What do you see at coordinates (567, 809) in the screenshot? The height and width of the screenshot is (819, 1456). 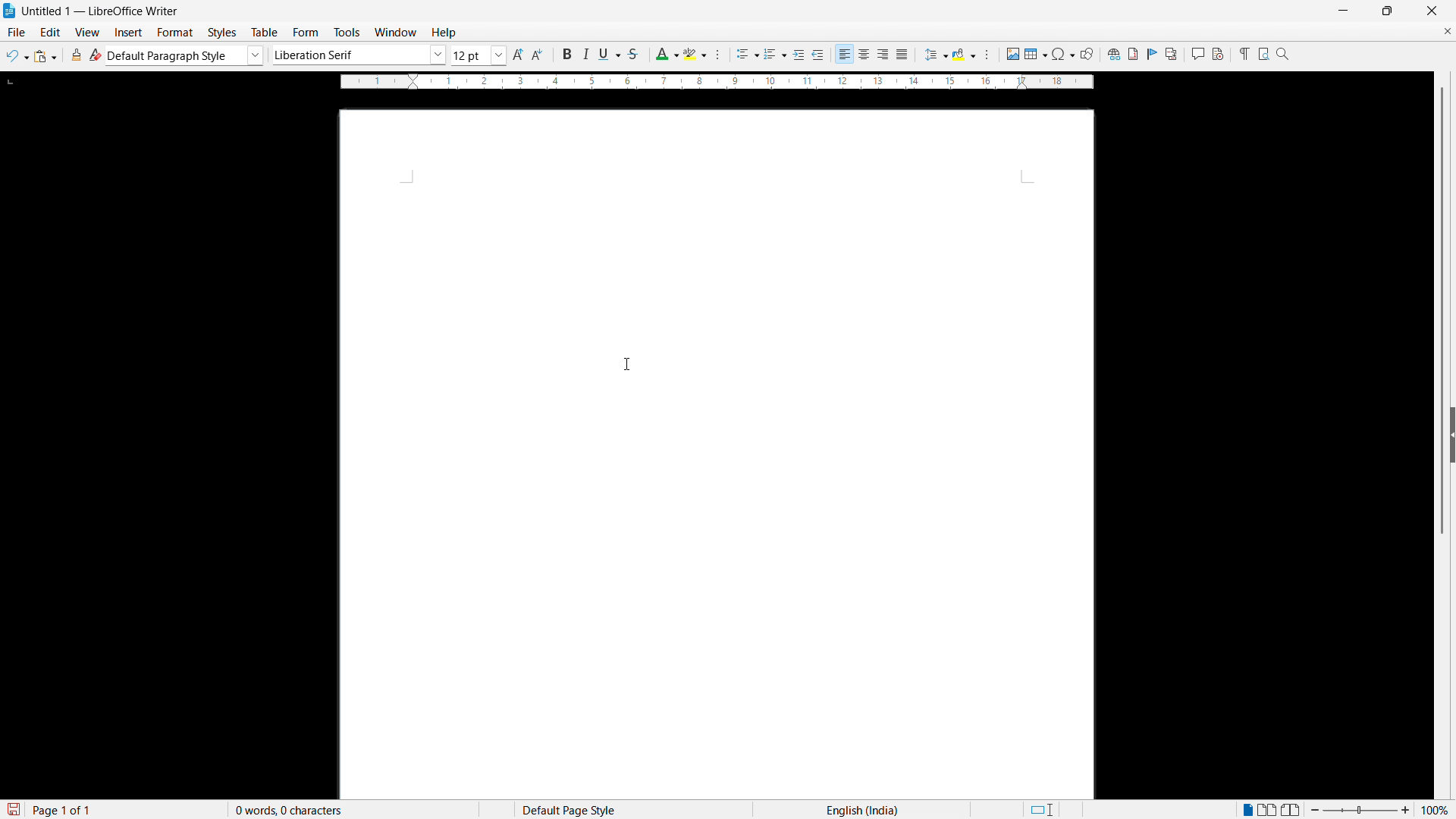 I see `Default page style ` at bounding box center [567, 809].